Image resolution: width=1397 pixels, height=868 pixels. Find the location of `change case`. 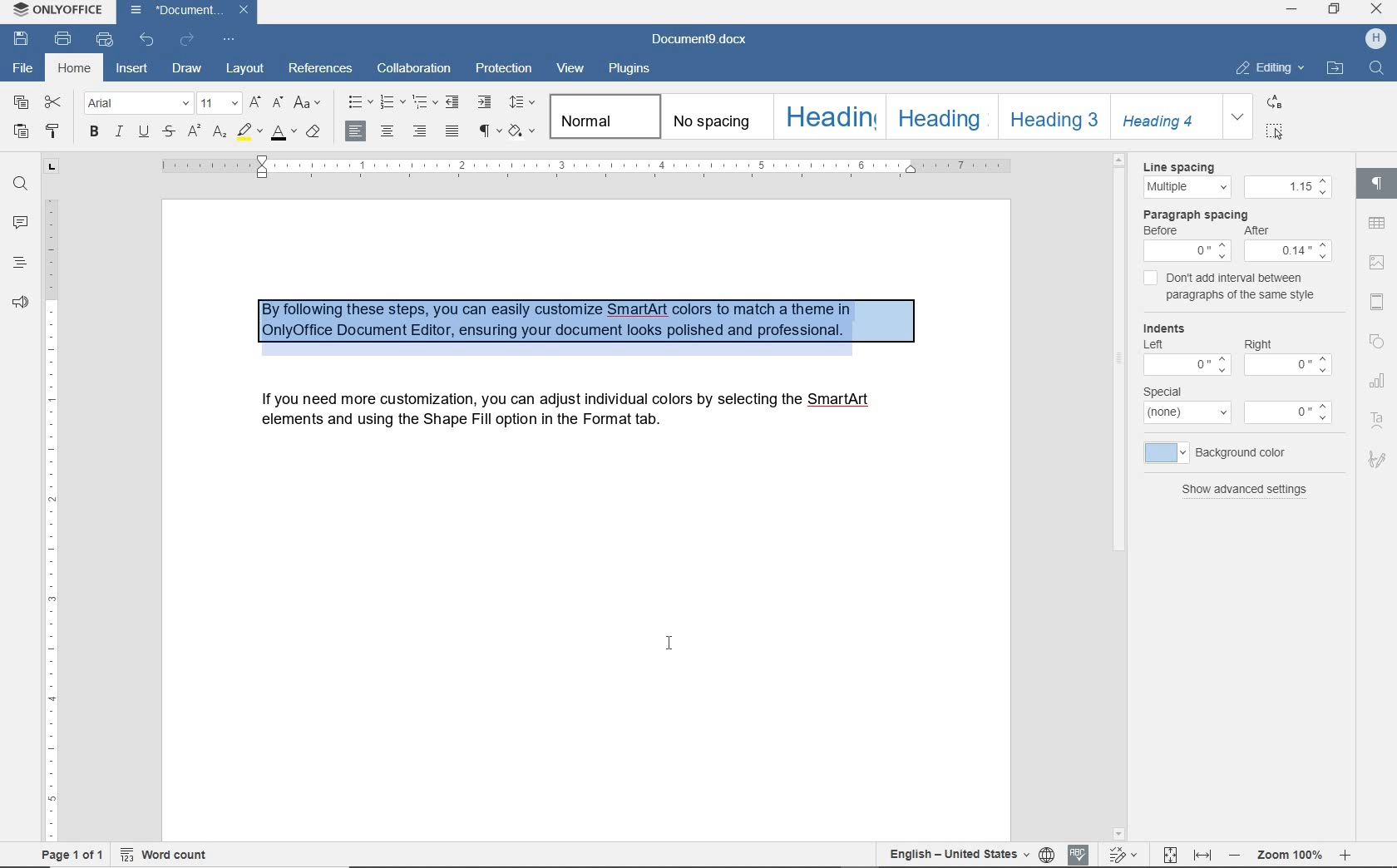

change case is located at coordinates (309, 101).